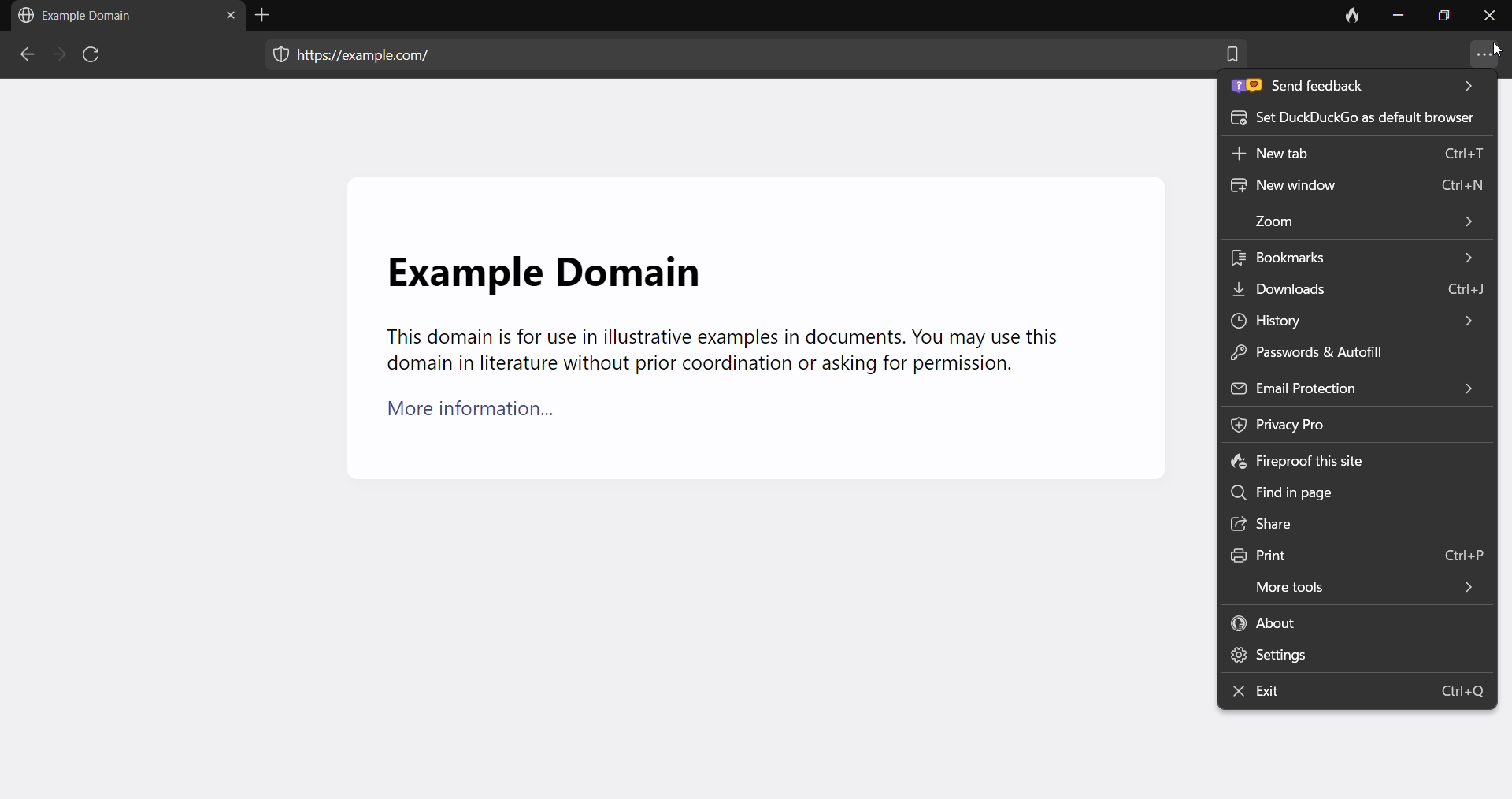 This screenshot has width=1512, height=799. What do you see at coordinates (1232, 61) in the screenshot?
I see `bookmark this tab` at bounding box center [1232, 61].